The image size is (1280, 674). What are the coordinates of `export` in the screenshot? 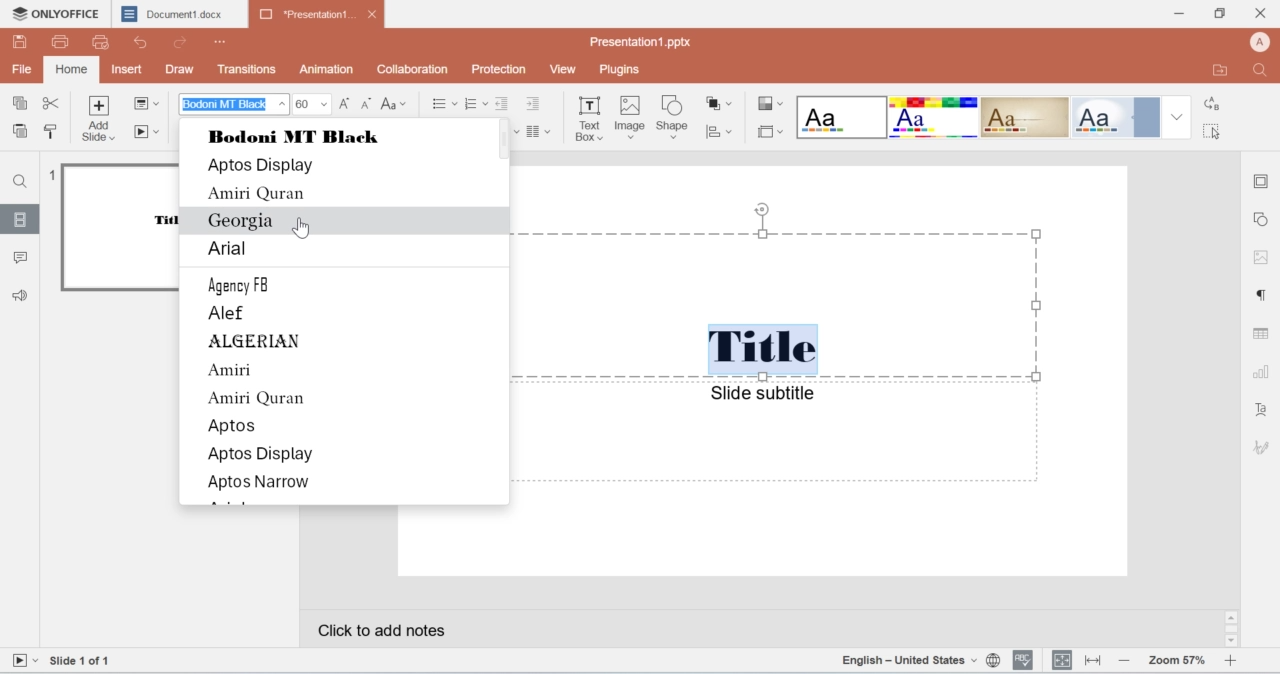 It's located at (1223, 70).